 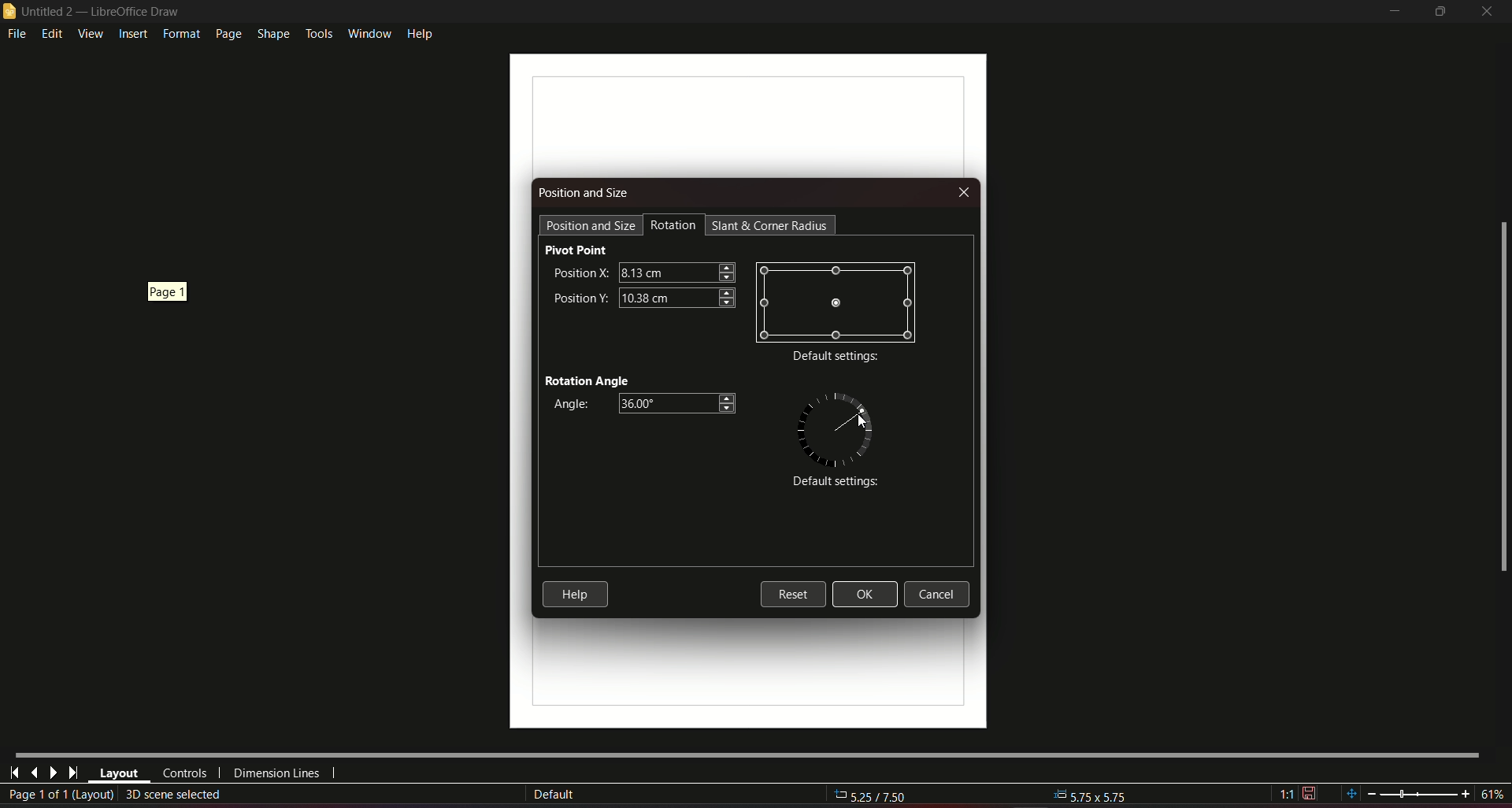 What do you see at coordinates (554, 795) in the screenshot?
I see `Default` at bounding box center [554, 795].